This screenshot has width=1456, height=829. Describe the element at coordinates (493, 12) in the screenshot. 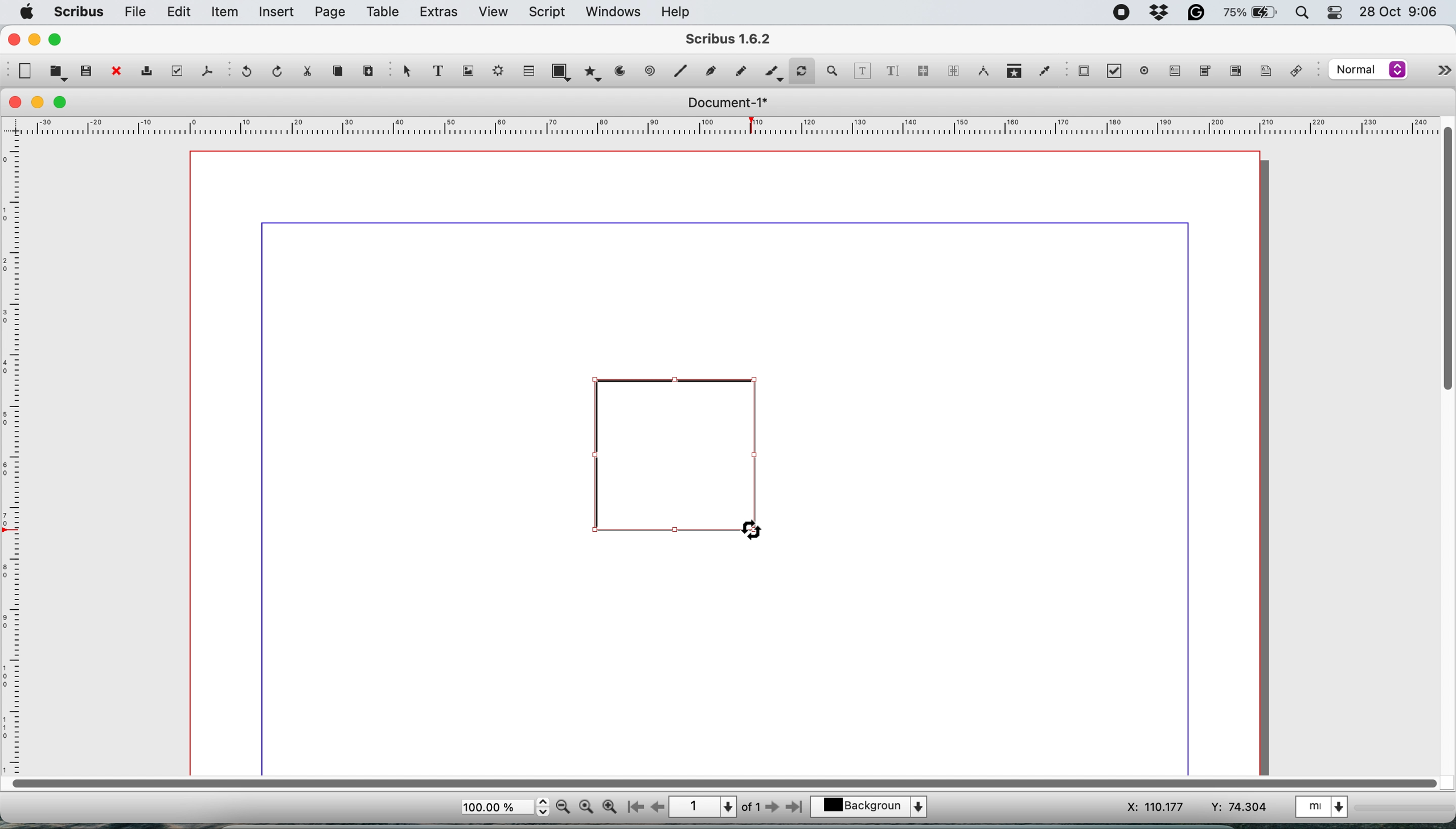

I see `view` at that location.